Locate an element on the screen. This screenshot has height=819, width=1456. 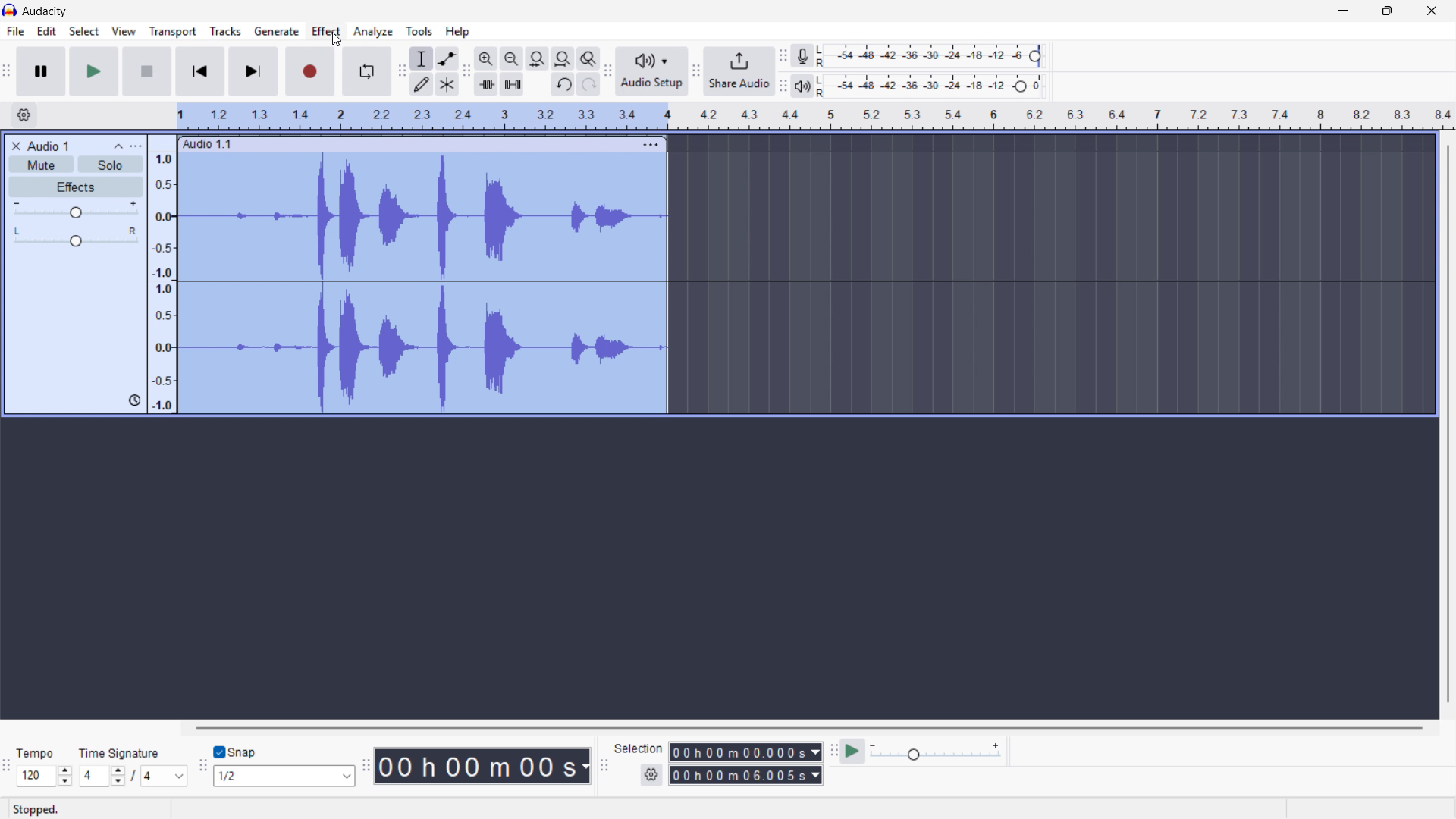
Close is located at coordinates (1432, 11).